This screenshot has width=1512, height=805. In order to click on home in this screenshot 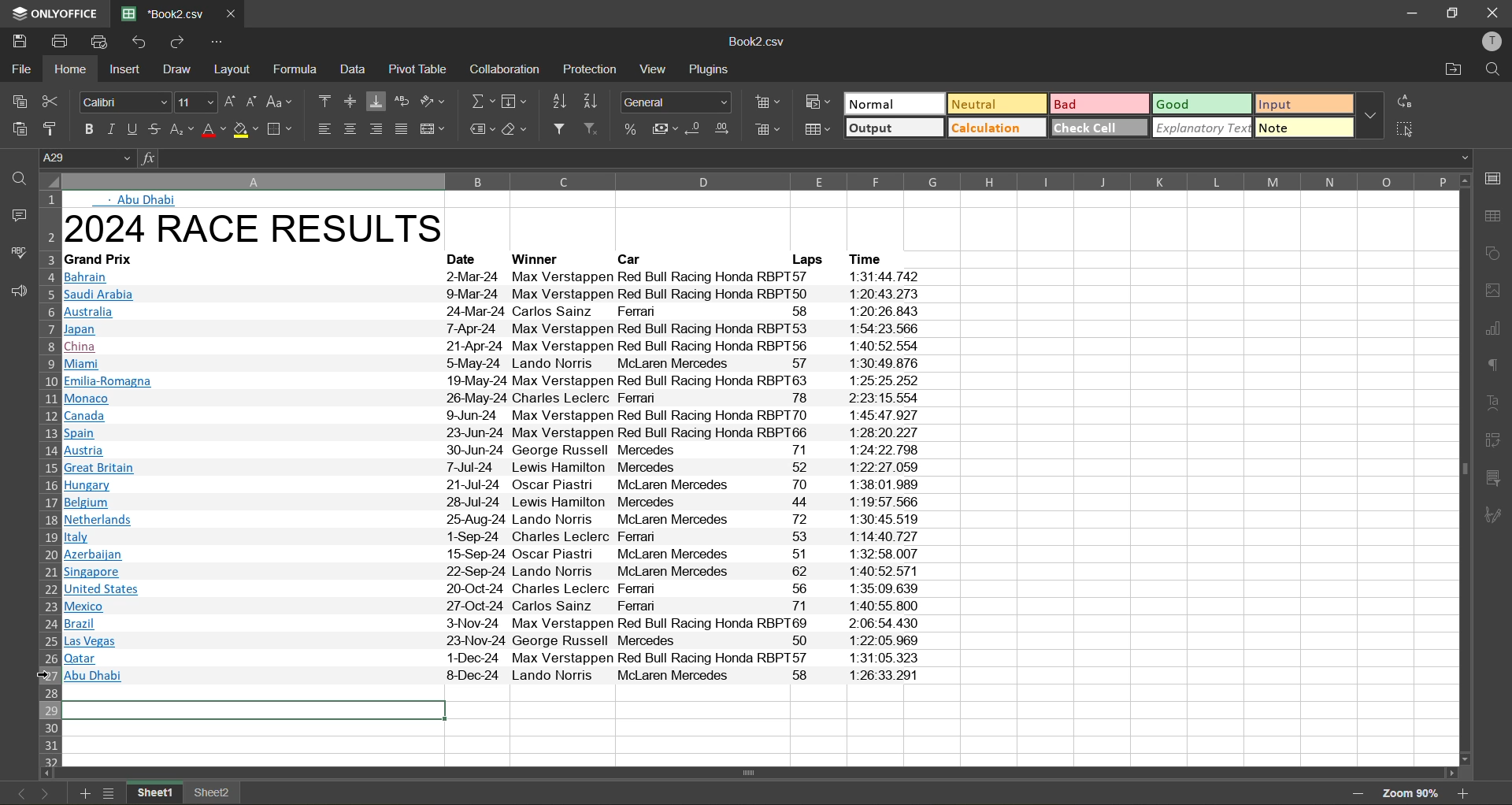, I will do `click(67, 69)`.